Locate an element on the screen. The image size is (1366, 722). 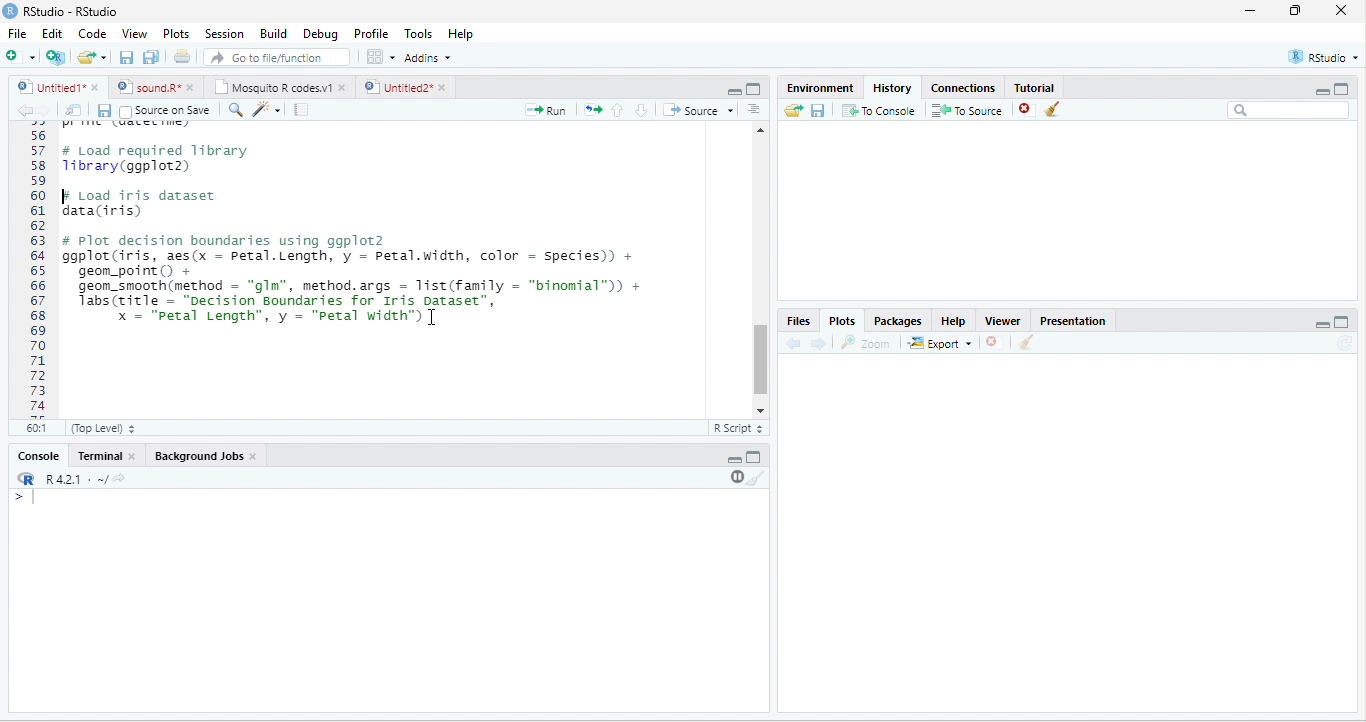
Session is located at coordinates (226, 35).